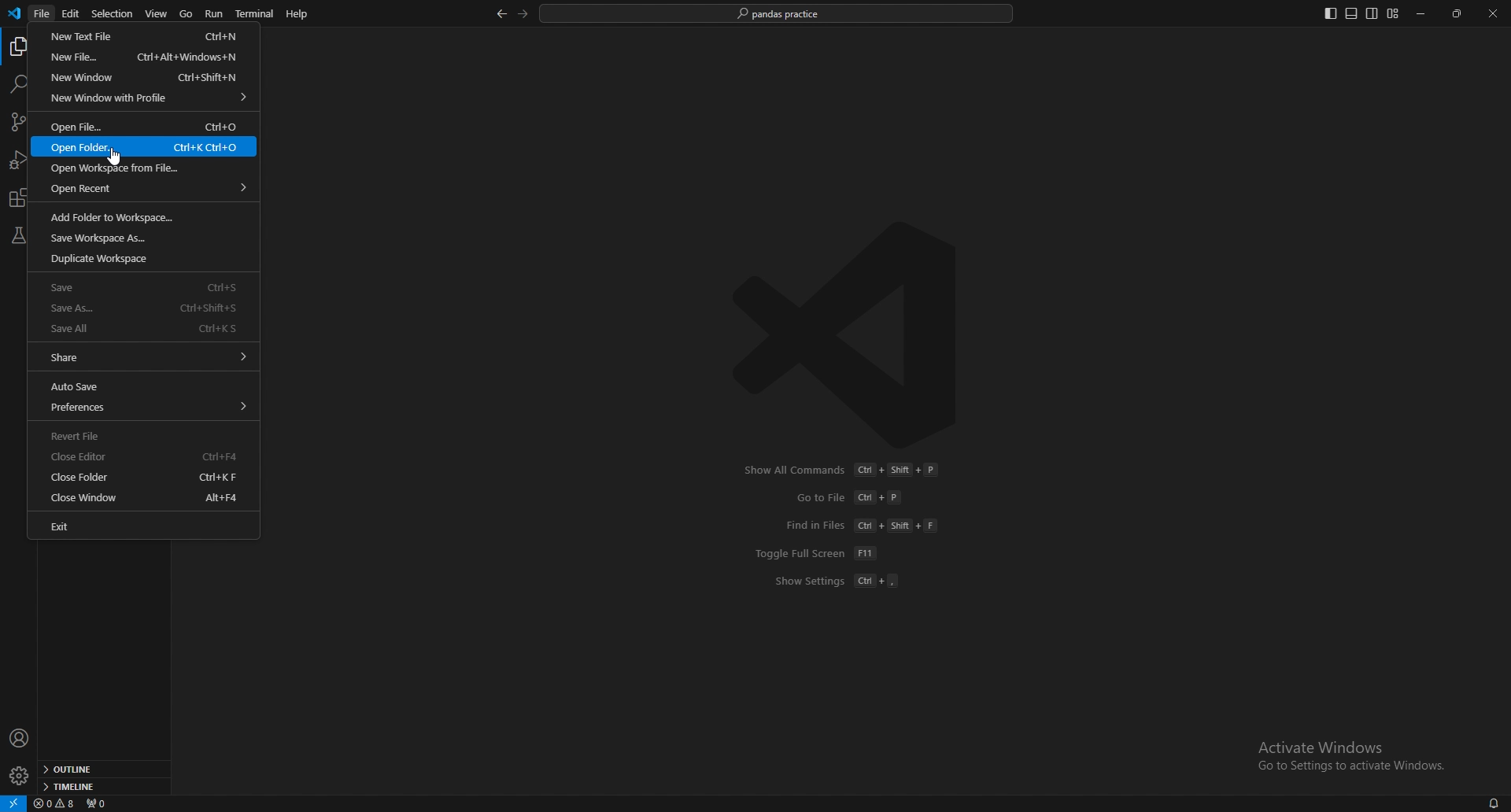 The width and height of the screenshot is (1511, 812). Describe the element at coordinates (144, 308) in the screenshot. I see `save as` at that location.